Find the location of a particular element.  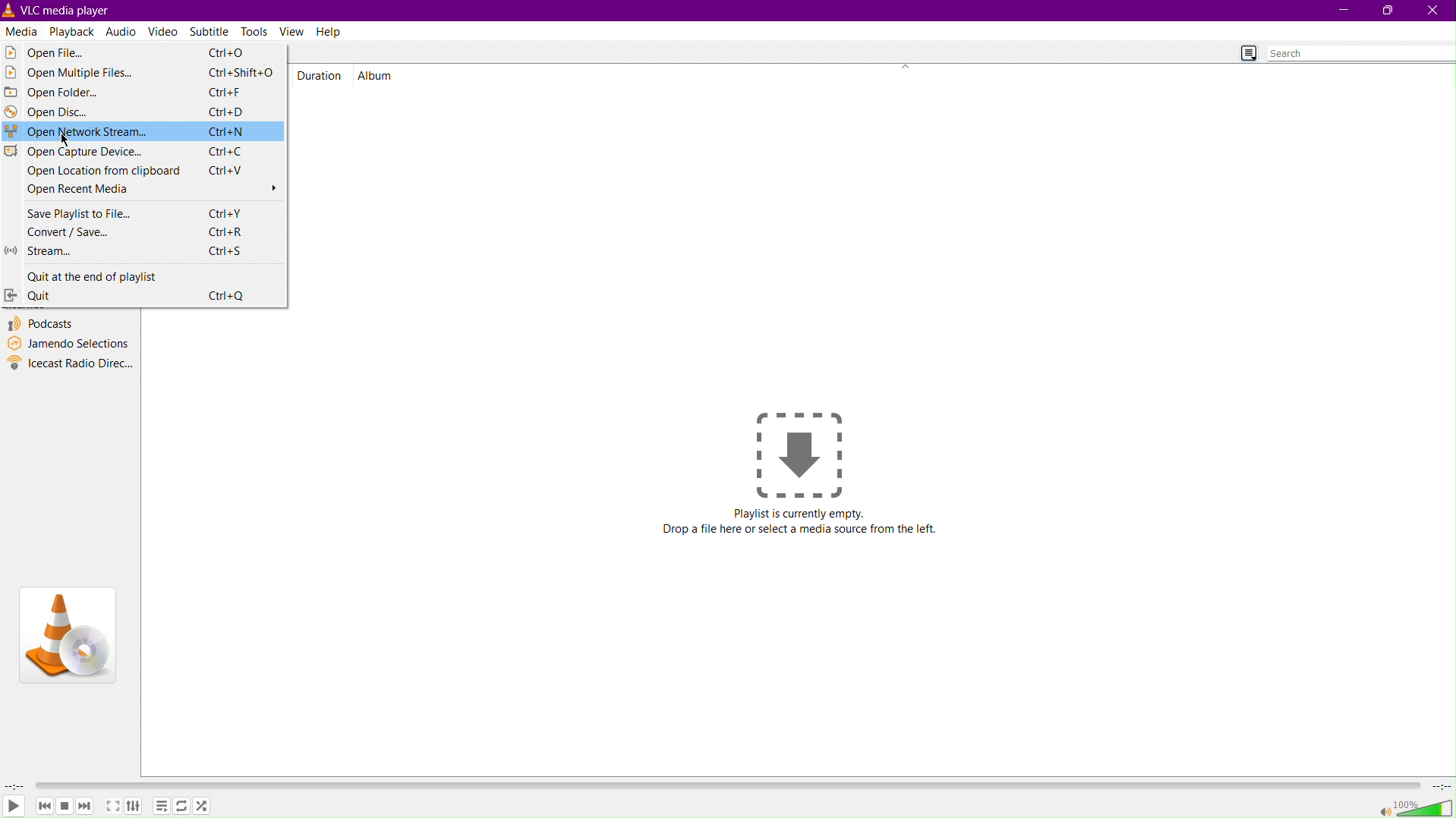

Ctrl+Shift+O is located at coordinates (244, 71).